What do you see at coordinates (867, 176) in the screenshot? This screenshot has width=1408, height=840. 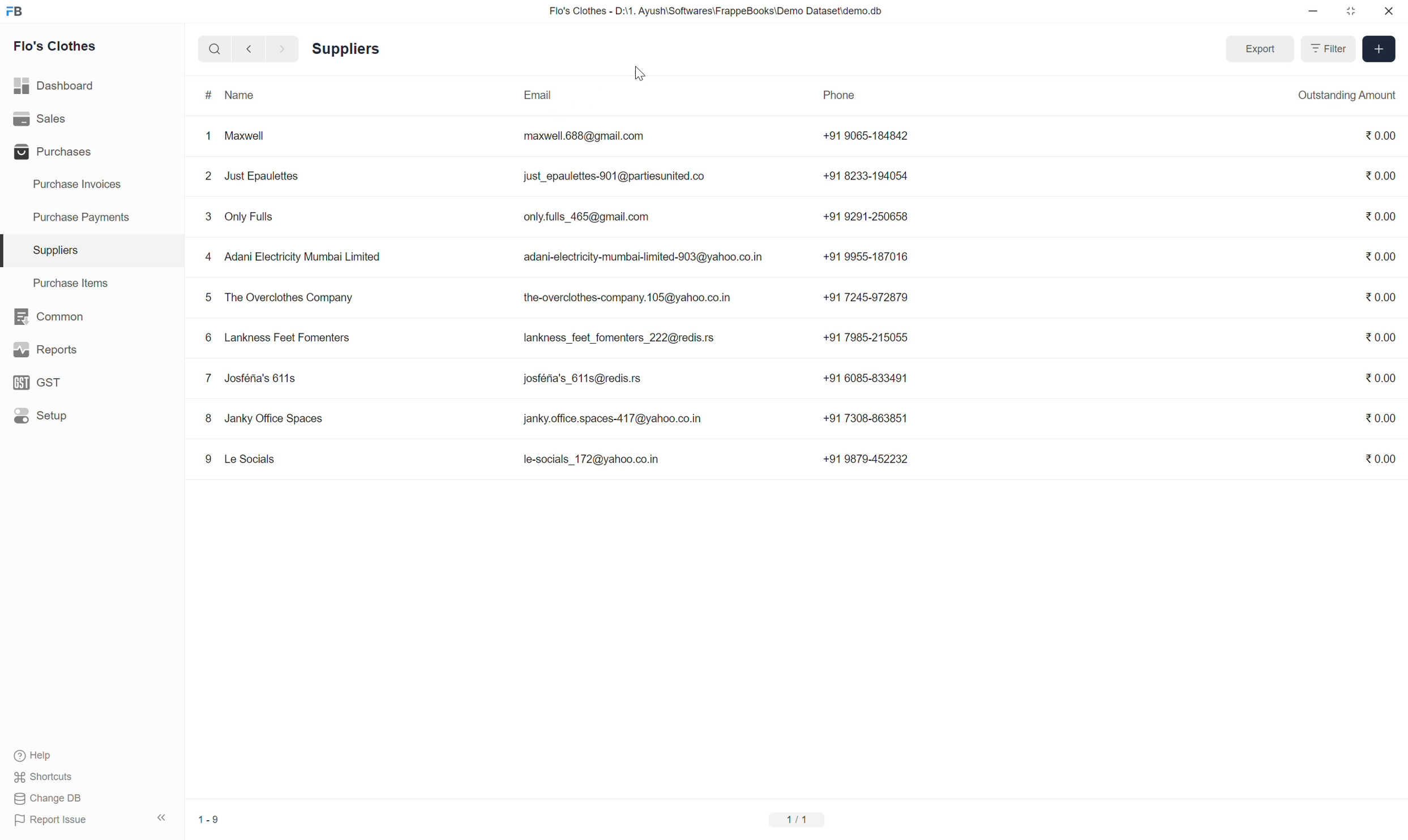 I see `+91 8233-194054` at bounding box center [867, 176].